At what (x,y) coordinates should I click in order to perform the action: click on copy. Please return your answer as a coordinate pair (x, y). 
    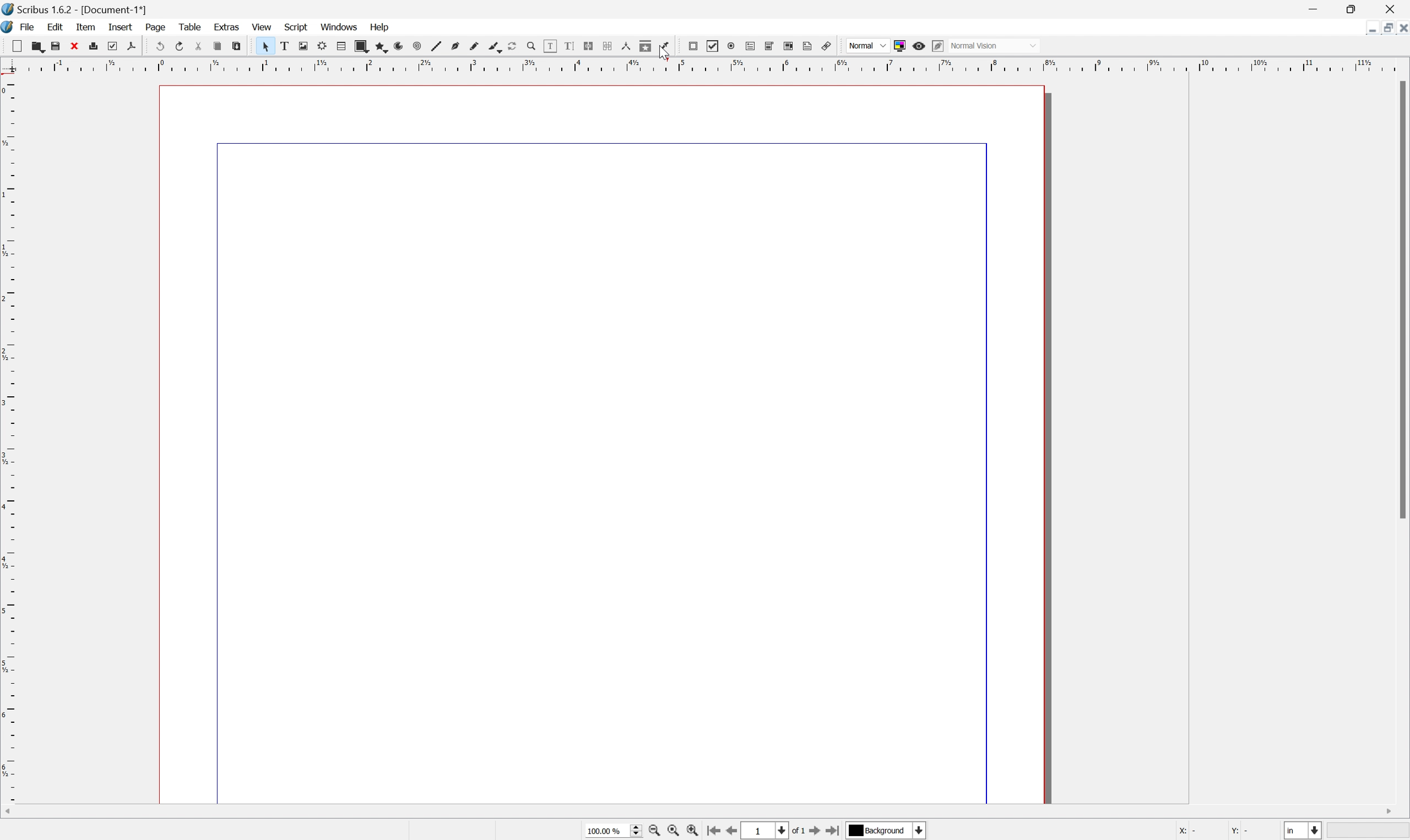
    Looking at the image, I should click on (218, 46).